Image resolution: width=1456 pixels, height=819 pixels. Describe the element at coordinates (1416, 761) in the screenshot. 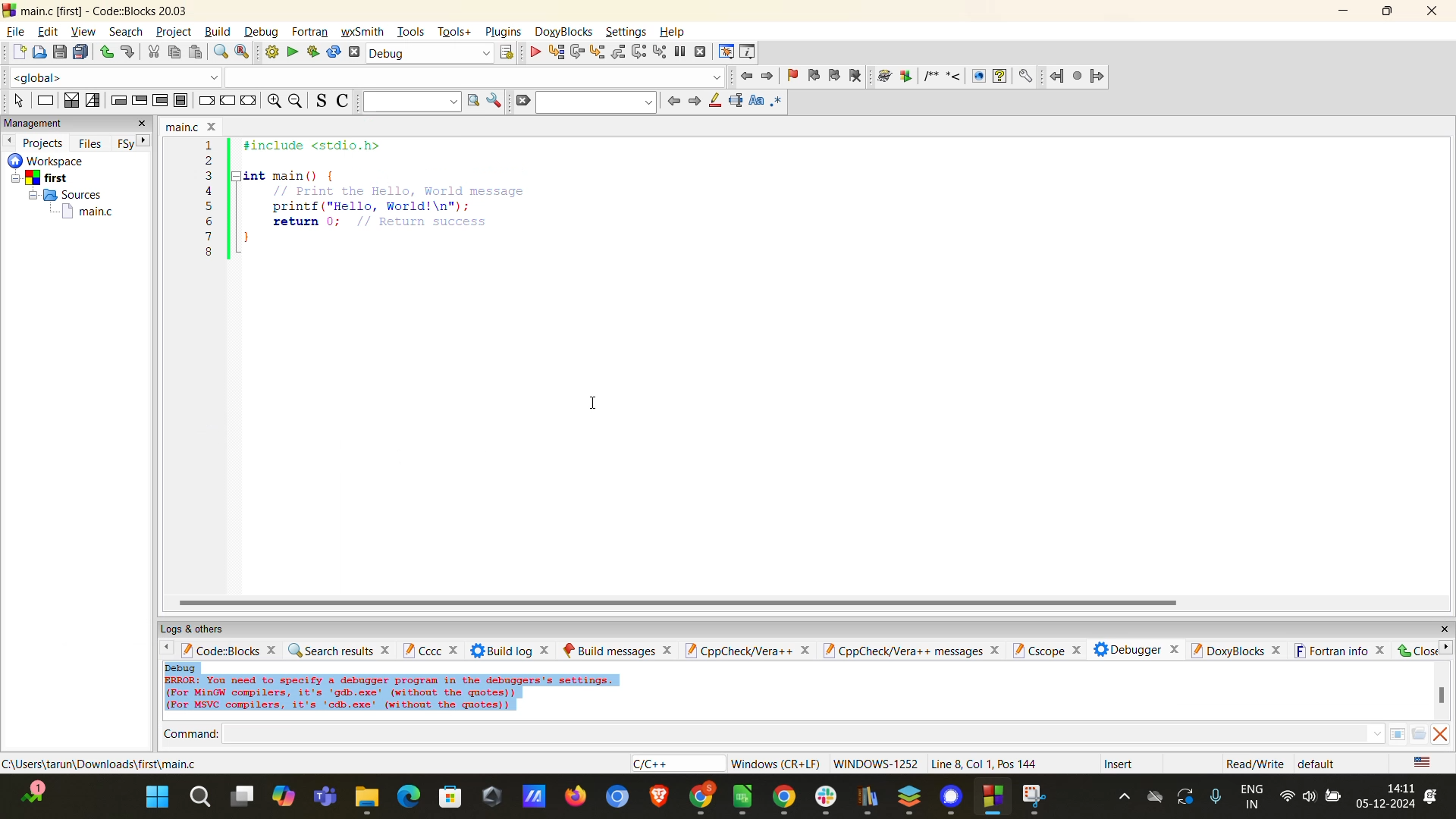

I see `text language` at that location.